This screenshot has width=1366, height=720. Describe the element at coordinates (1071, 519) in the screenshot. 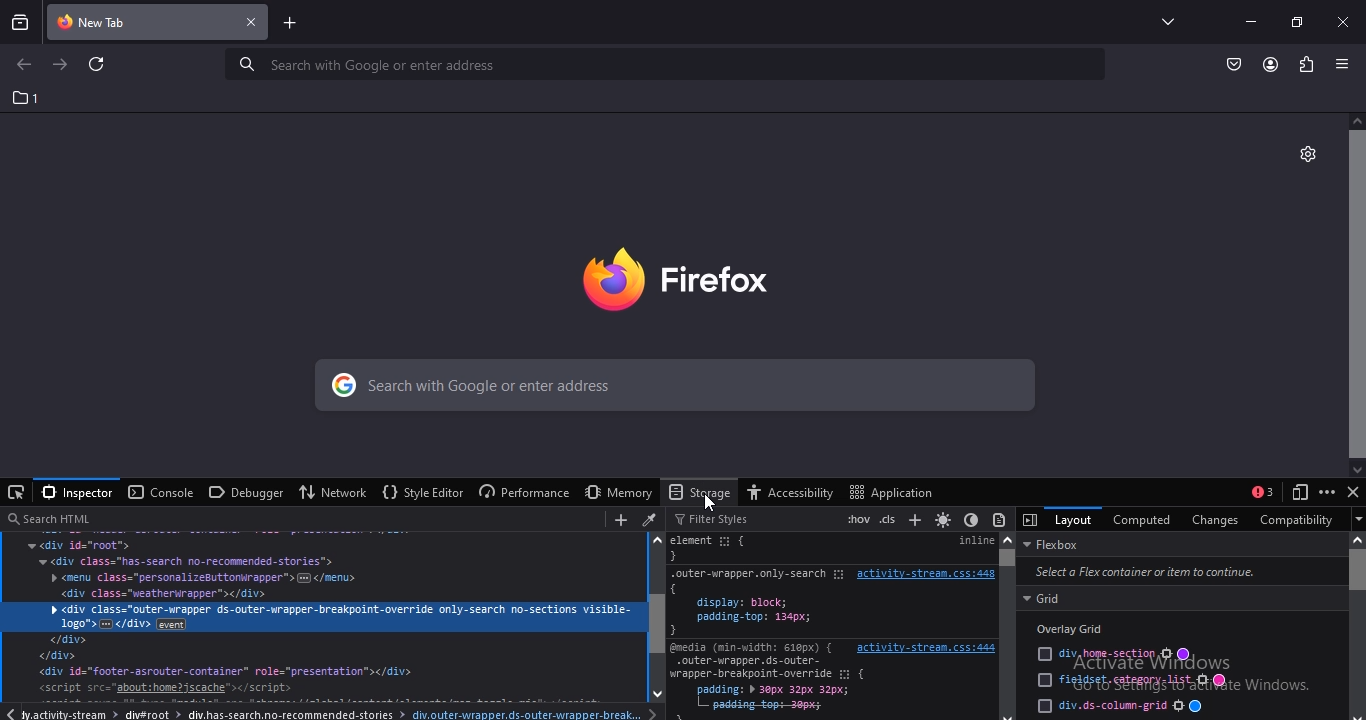

I see `layout` at that location.